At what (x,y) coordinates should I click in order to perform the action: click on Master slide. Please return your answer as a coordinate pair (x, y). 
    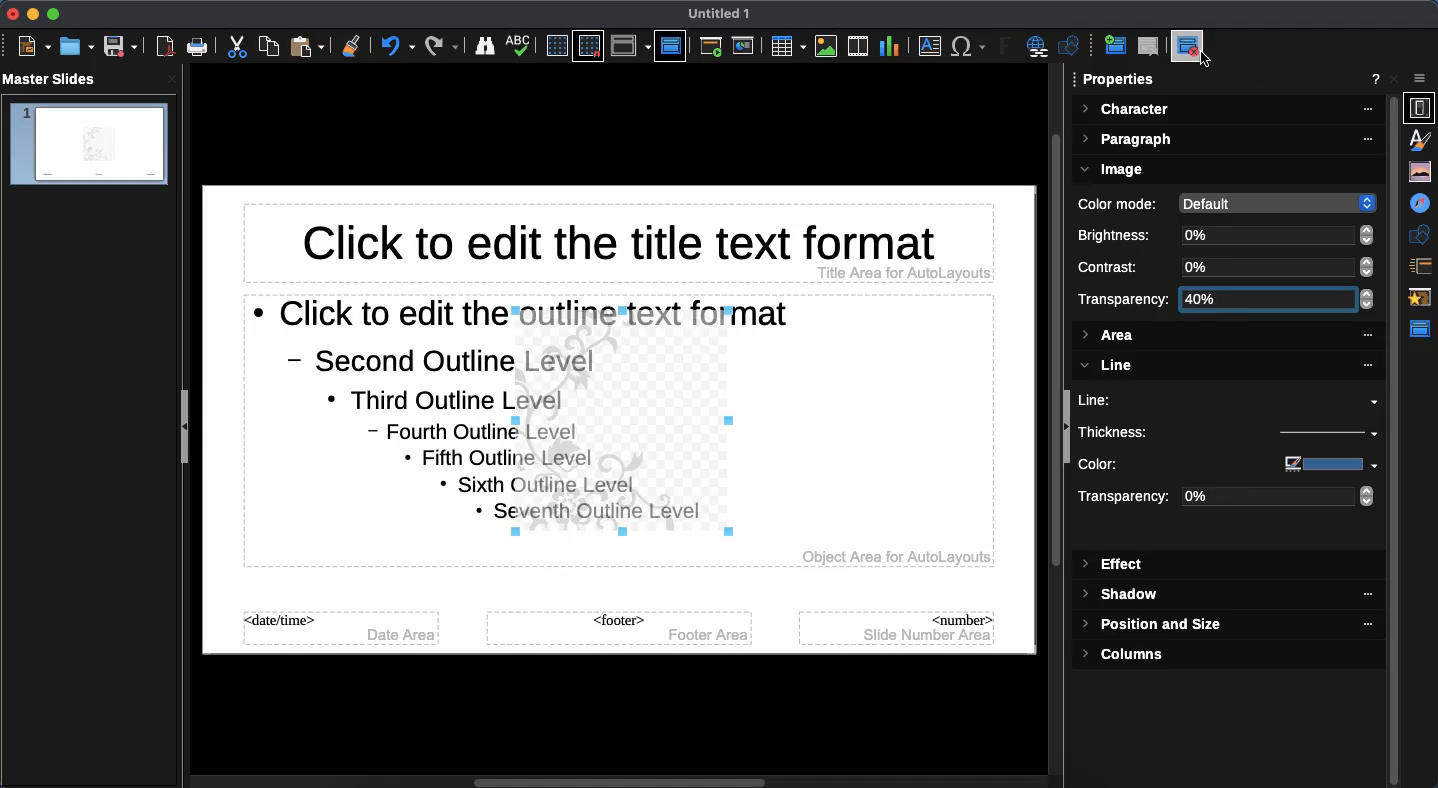
    Looking at the image, I should click on (1423, 329).